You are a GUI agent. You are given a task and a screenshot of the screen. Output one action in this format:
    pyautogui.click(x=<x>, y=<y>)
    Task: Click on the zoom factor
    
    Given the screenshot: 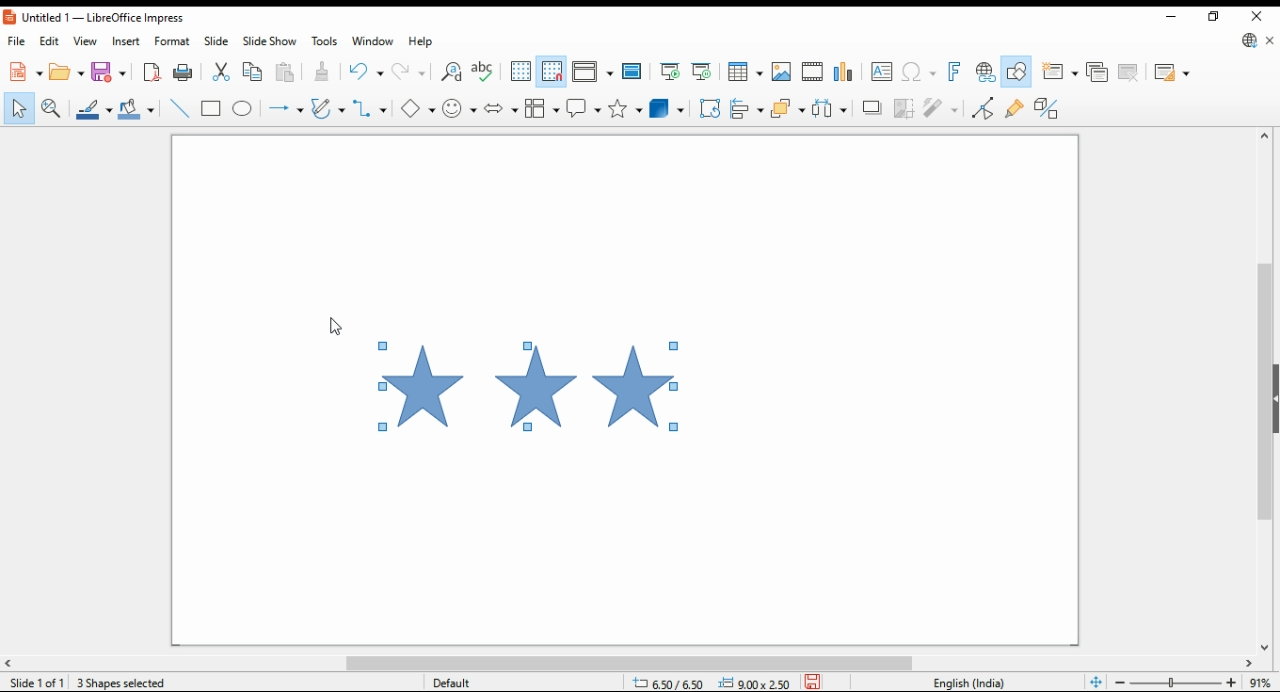 What is the action you would take?
    pyautogui.click(x=1261, y=682)
    